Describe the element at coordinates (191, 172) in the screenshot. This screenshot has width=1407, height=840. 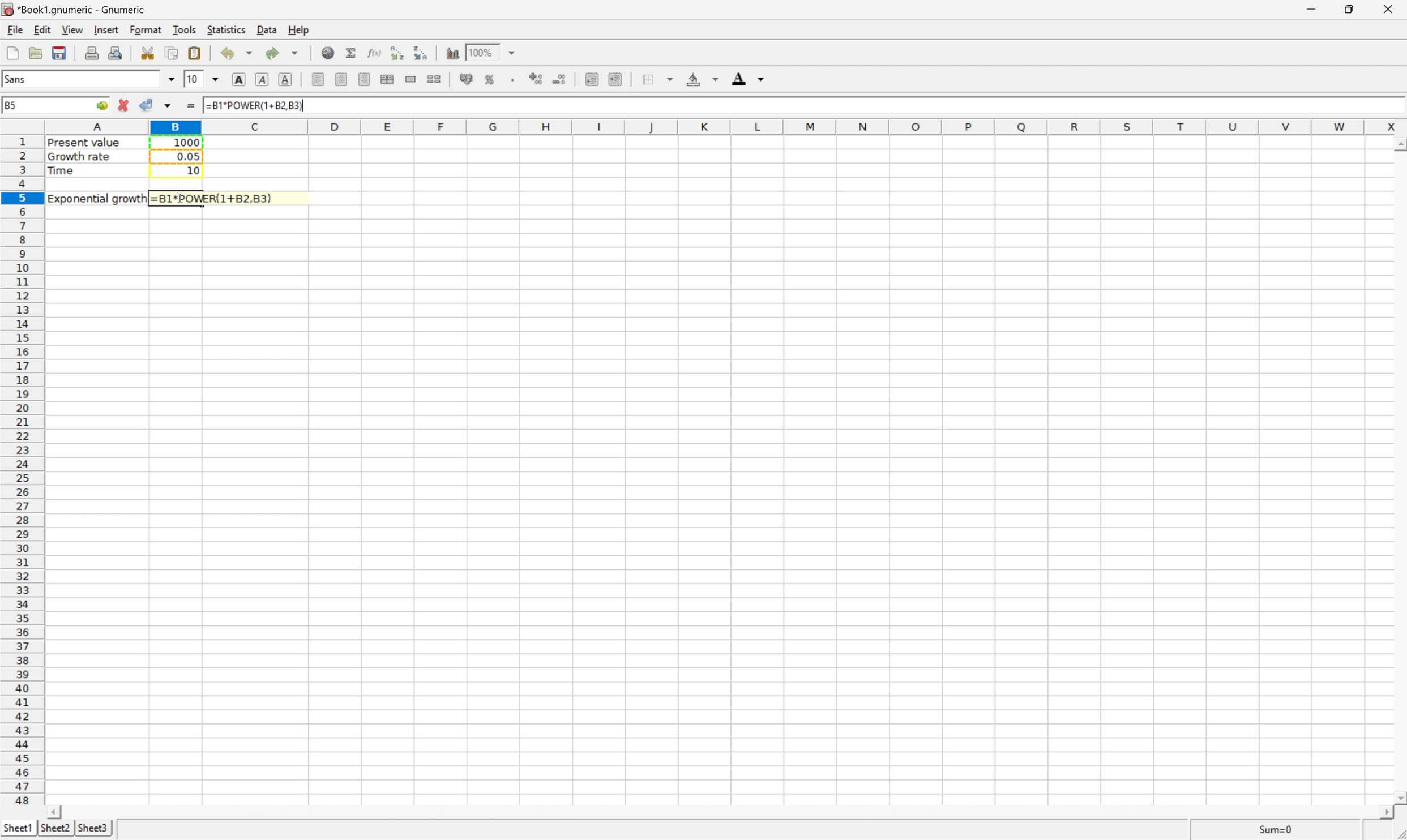
I see `10` at that location.